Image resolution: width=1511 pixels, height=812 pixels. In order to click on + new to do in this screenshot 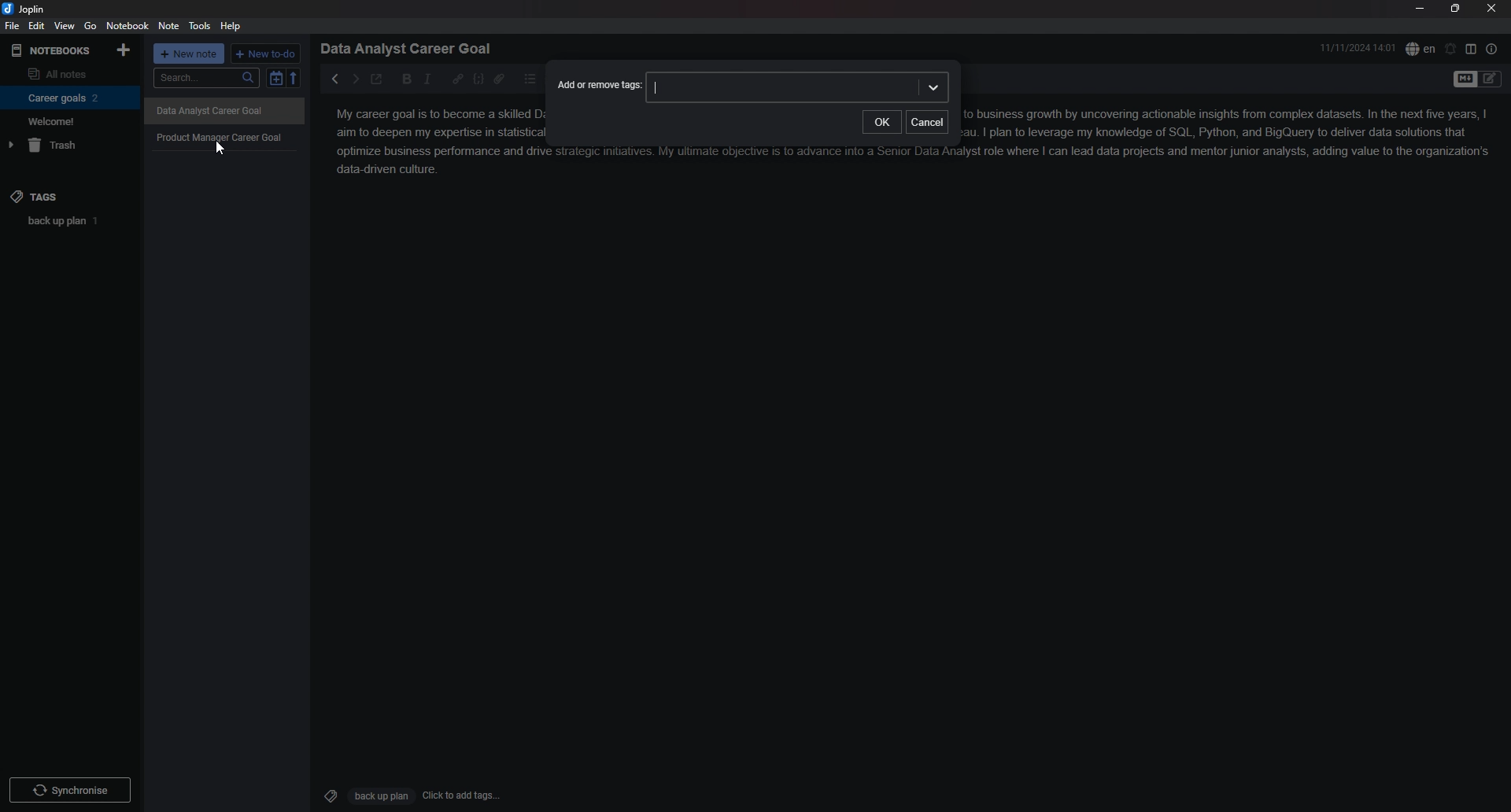, I will do `click(264, 54)`.